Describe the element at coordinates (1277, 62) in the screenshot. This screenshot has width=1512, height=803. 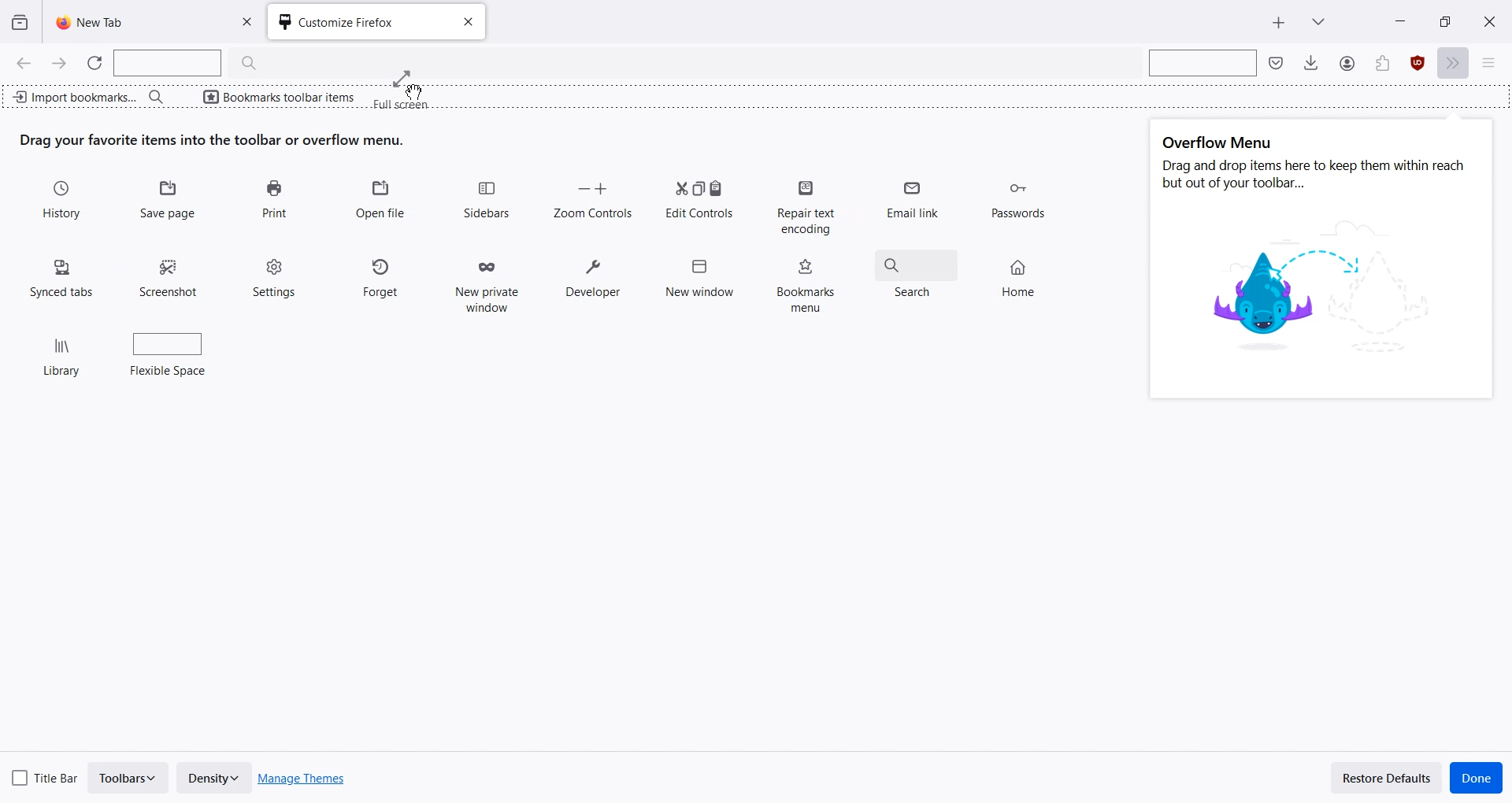
I see `Save to pocket` at that location.